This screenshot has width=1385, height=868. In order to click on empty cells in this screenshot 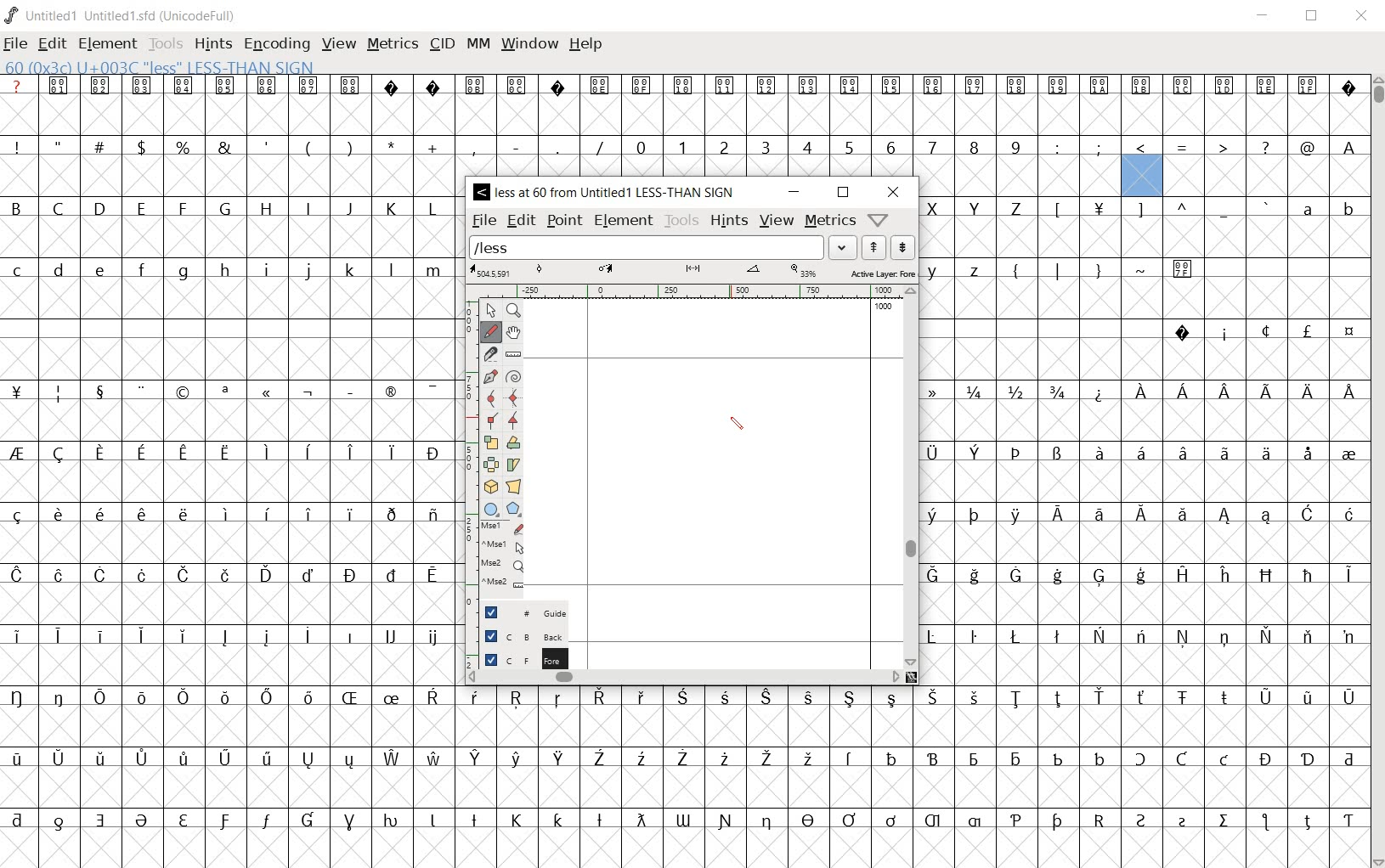, I will do `click(229, 421)`.